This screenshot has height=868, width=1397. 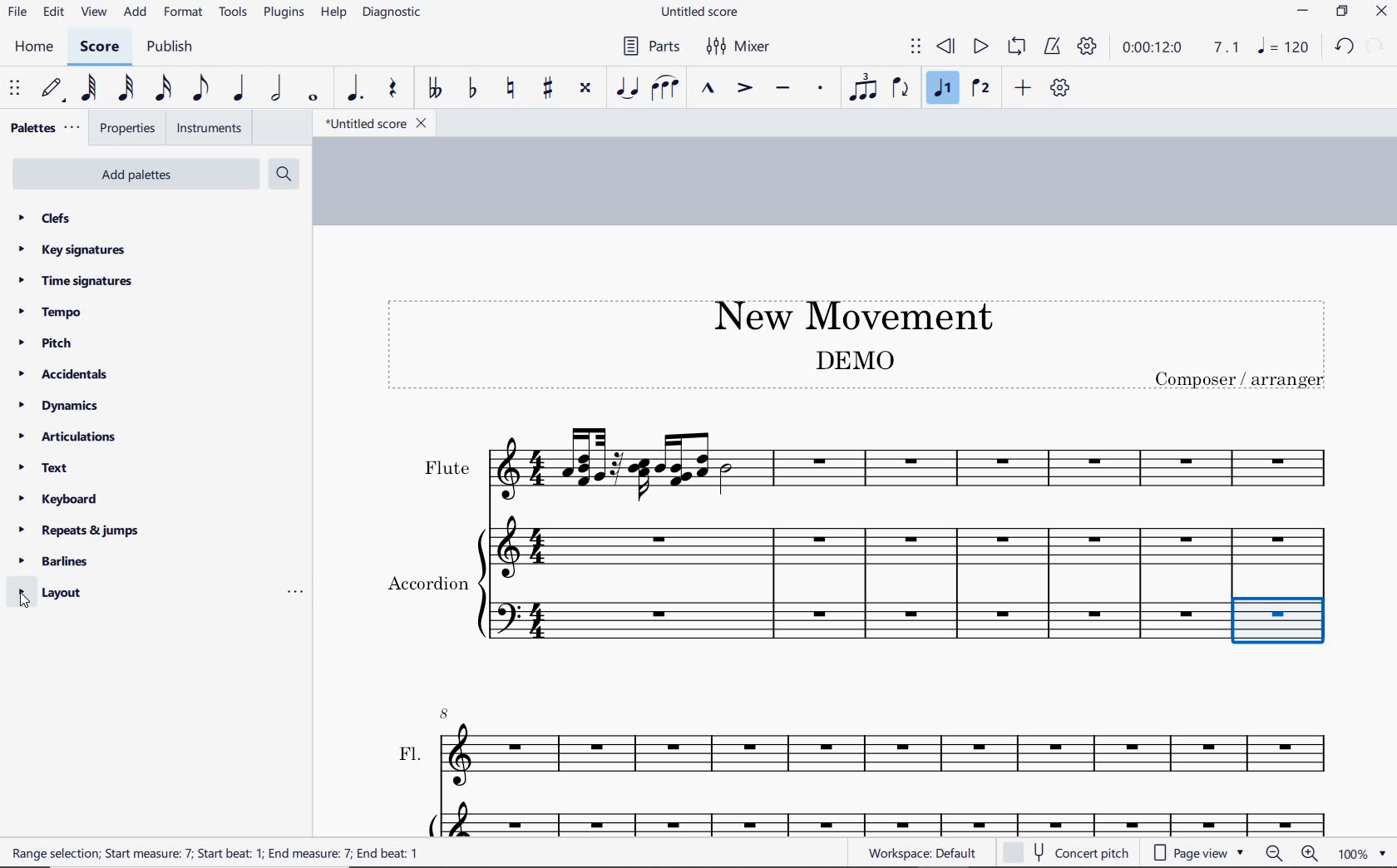 I want to click on select to move, so click(x=916, y=47).